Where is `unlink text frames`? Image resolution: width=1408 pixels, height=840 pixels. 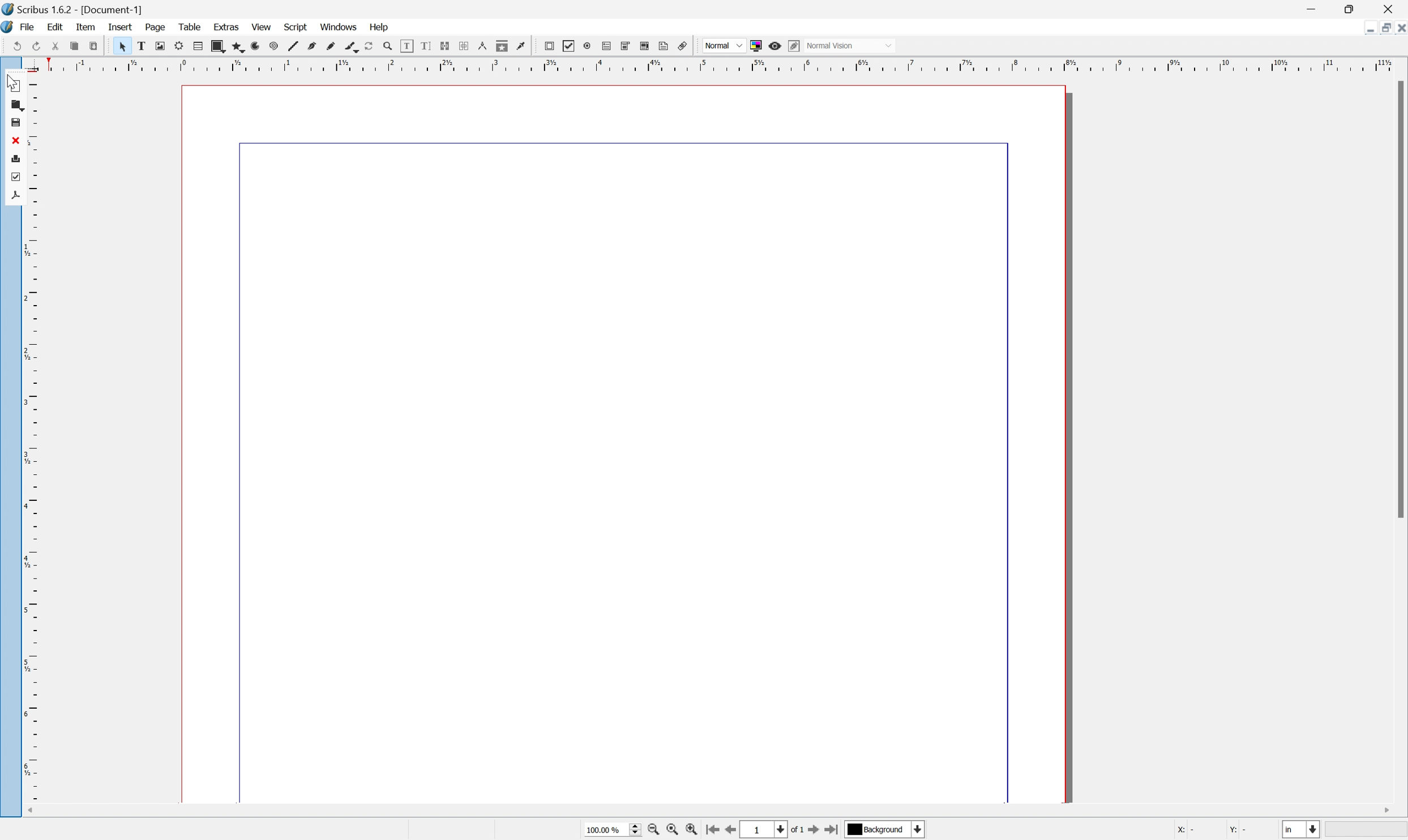
unlink text frames is located at coordinates (606, 46).